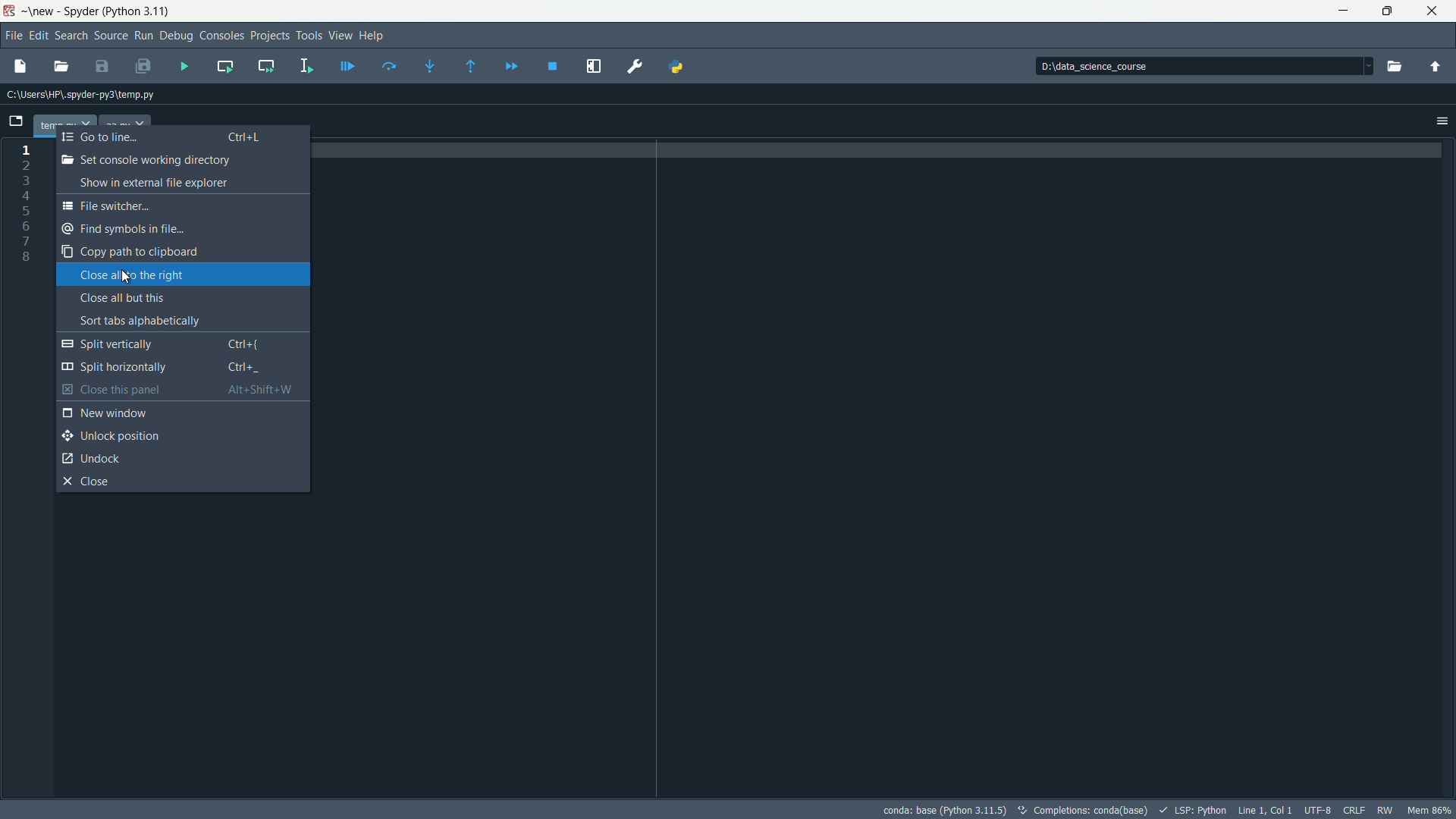  I want to click on maximize current pane, so click(595, 67).